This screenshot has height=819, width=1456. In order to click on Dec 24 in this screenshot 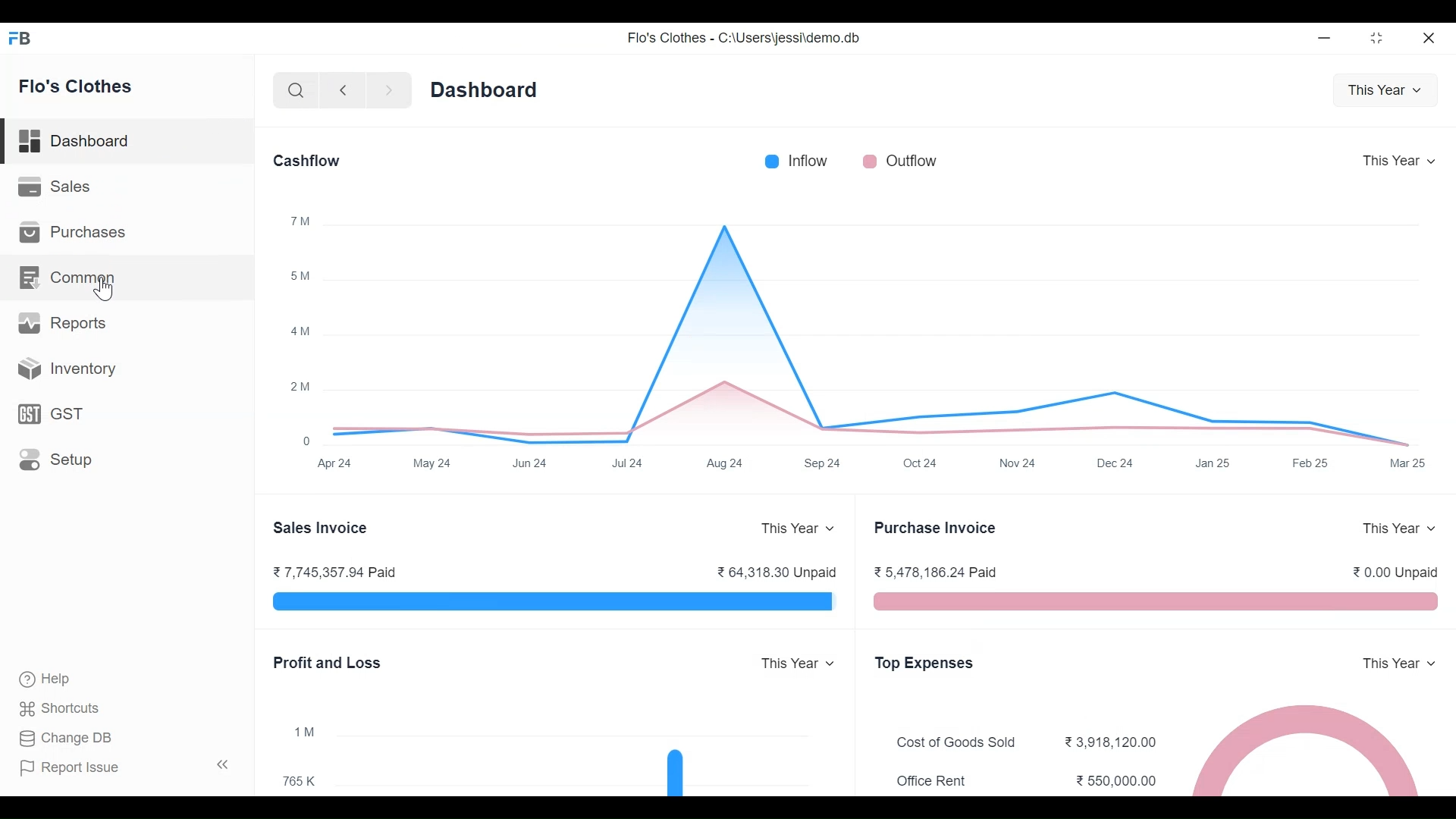, I will do `click(1117, 463)`.